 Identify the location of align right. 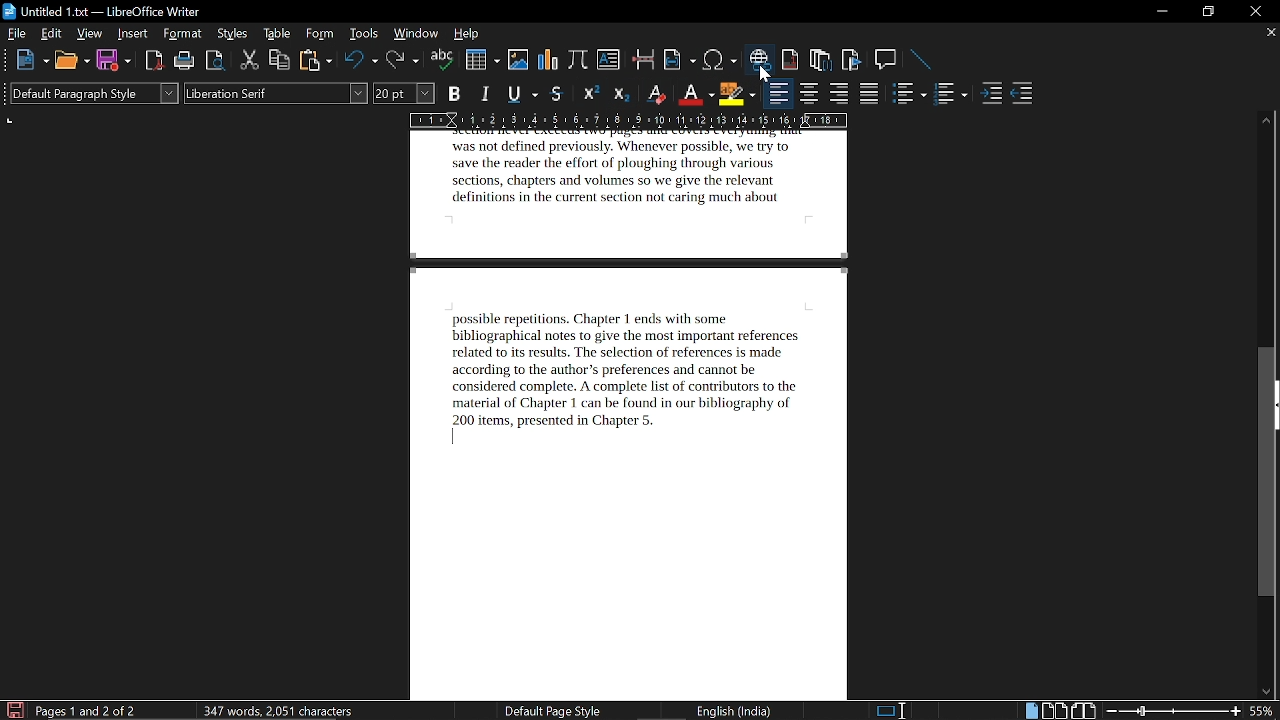
(839, 95).